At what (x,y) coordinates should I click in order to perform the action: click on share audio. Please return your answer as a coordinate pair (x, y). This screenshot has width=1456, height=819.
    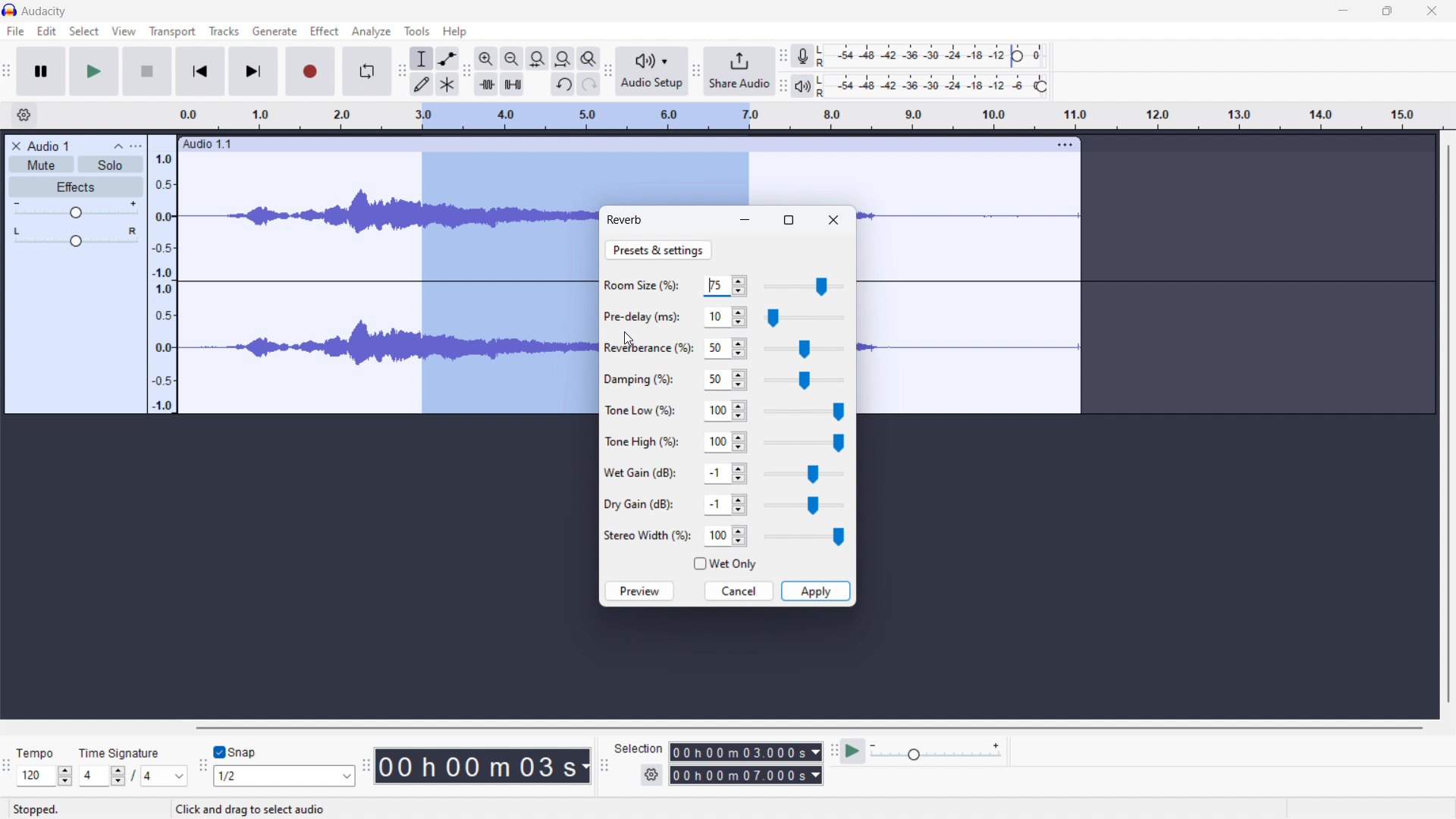
    Looking at the image, I should click on (740, 72).